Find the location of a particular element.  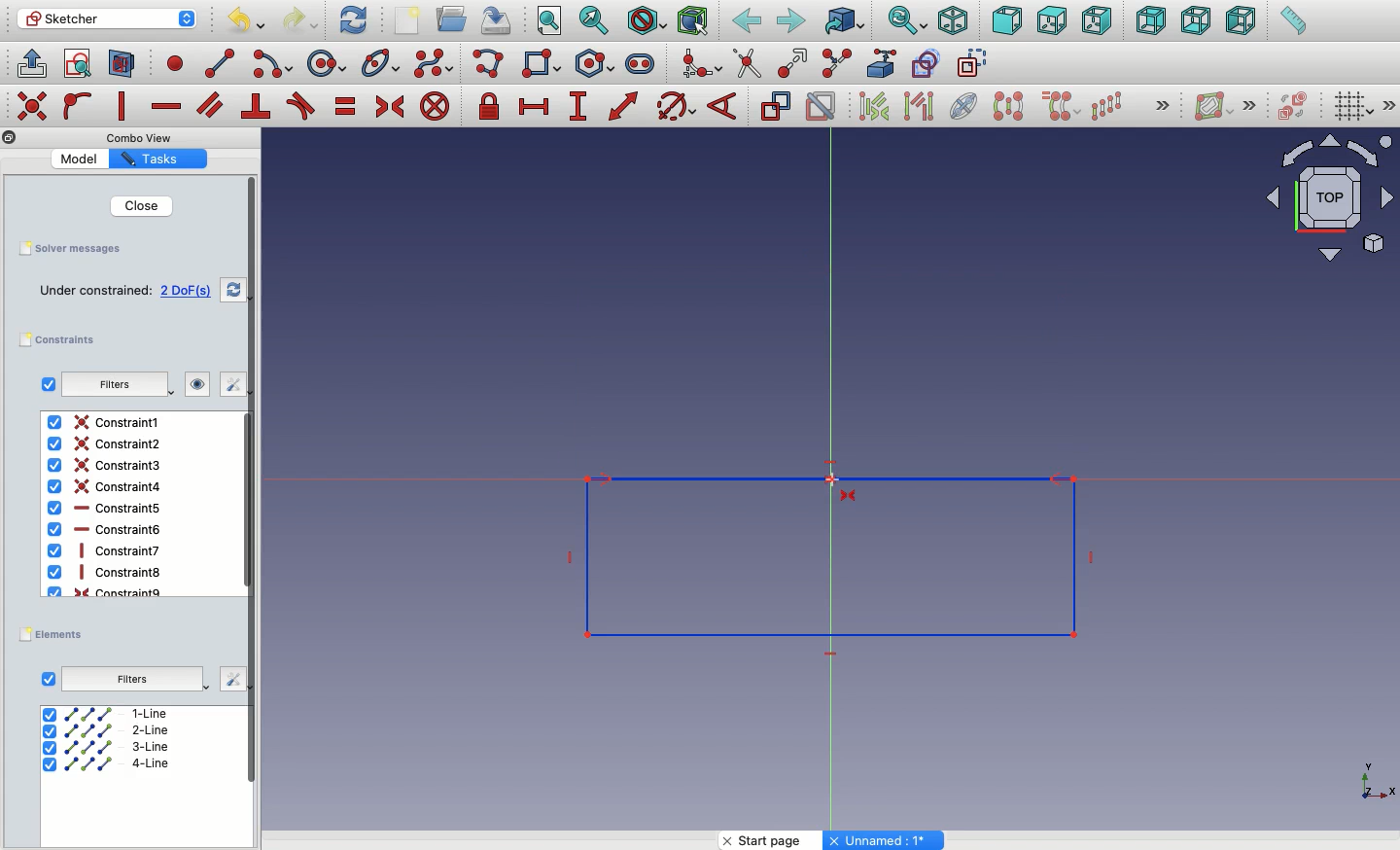

Constraint8 is located at coordinates (106, 572).